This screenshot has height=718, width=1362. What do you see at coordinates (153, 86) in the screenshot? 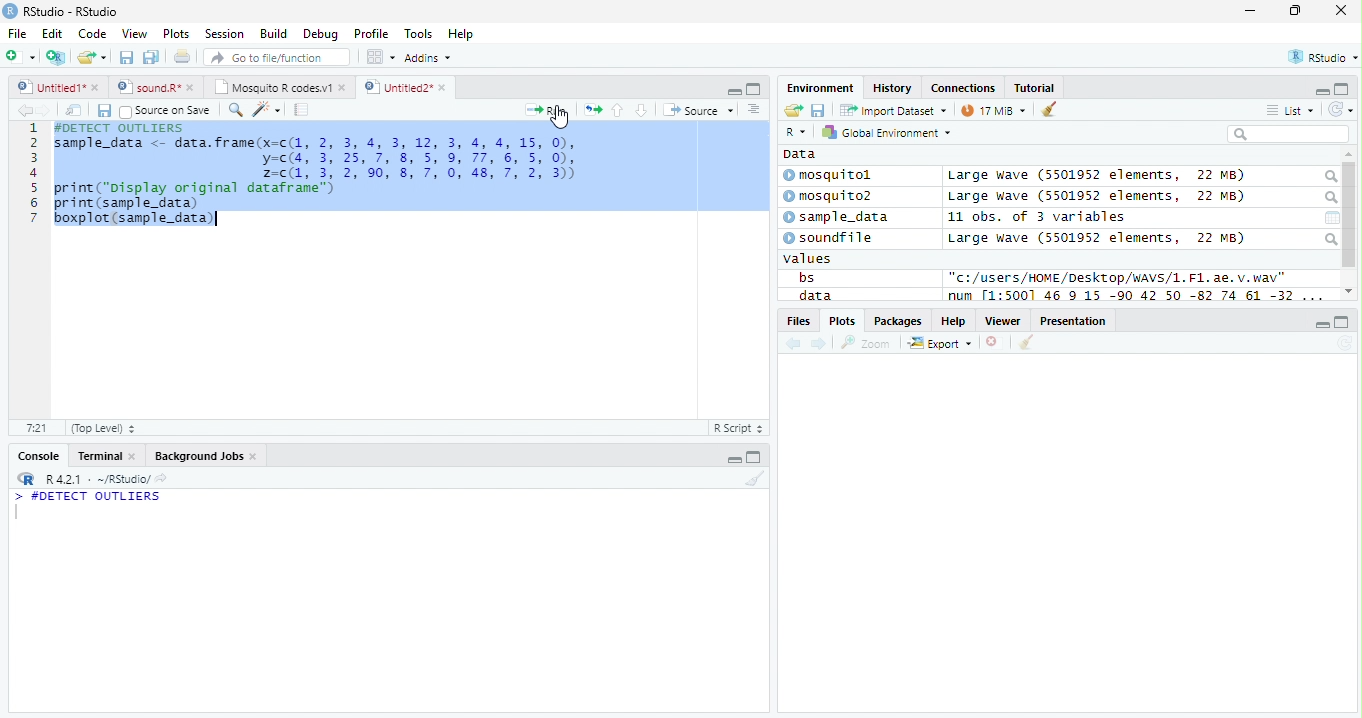
I see `sound.R*` at bounding box center [153, 86].